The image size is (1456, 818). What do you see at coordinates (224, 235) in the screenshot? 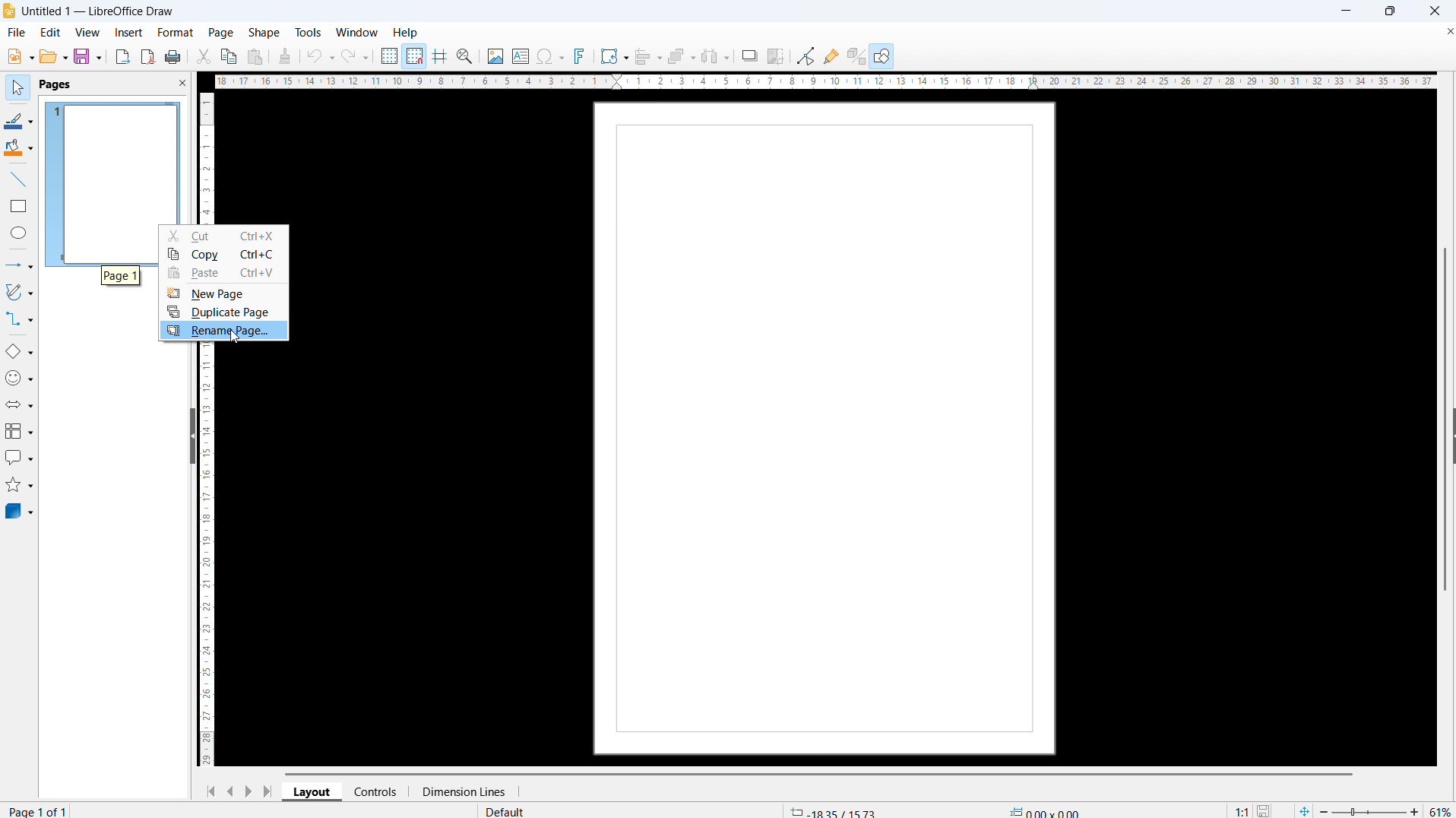
I see `cut` at bounding box center [224, 235].